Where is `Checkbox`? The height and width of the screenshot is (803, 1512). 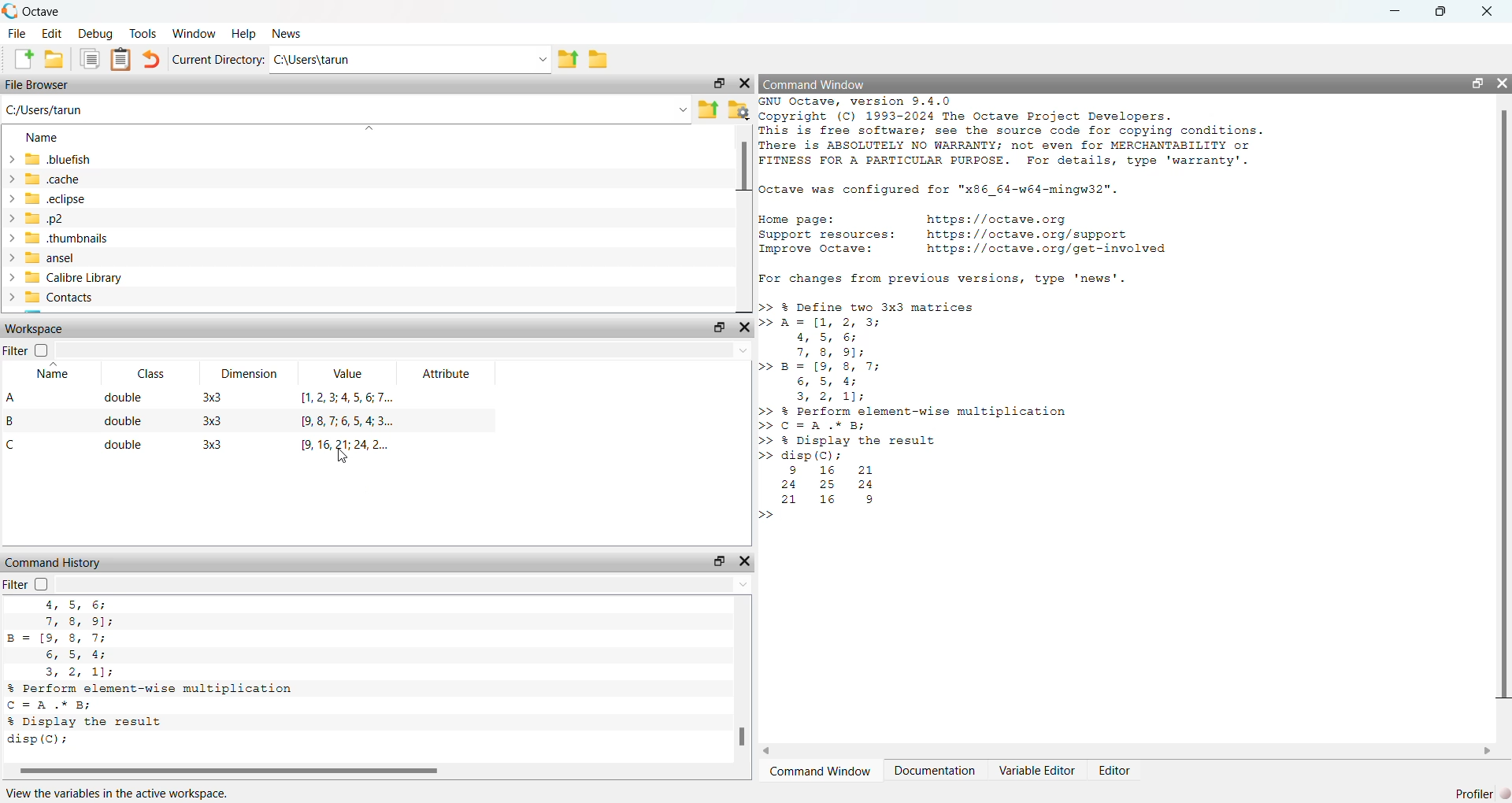
Checkbox is located at coordinates (41, 350).